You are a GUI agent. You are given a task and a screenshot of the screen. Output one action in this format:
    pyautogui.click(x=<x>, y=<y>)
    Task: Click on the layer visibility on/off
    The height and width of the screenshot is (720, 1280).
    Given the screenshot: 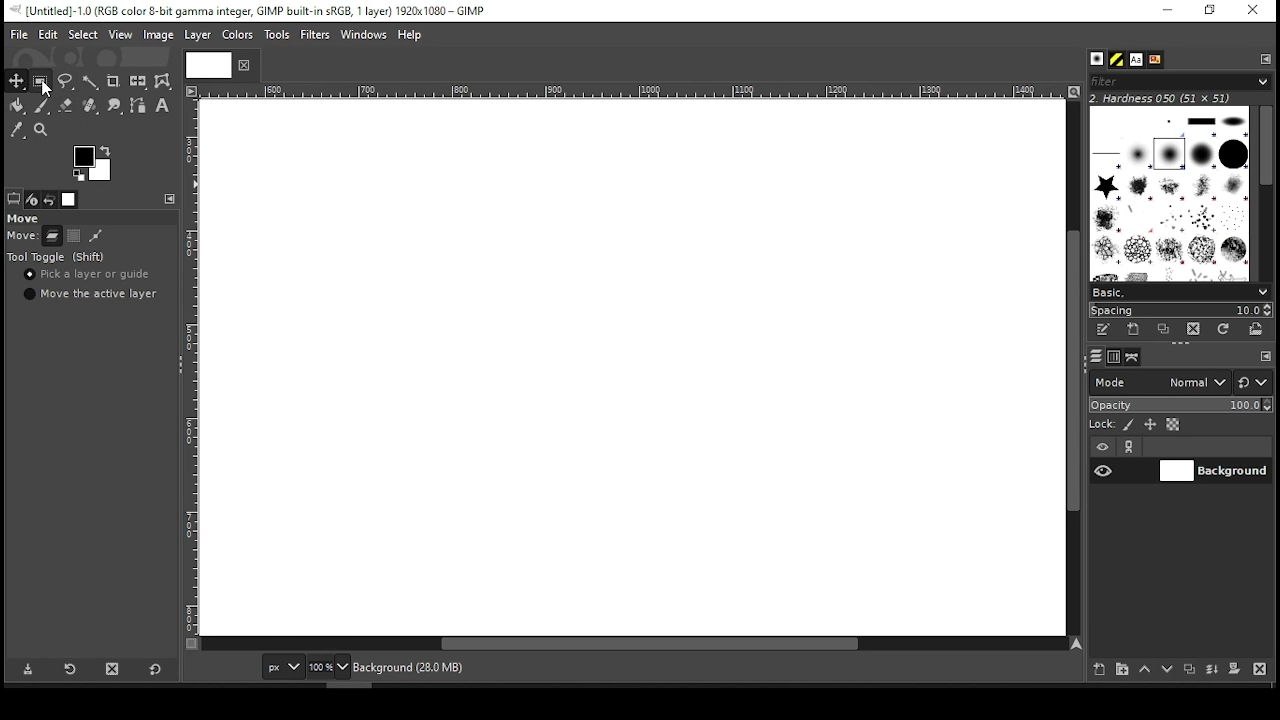 What is the action you would take?
    pyautogui.click(x=1104, y=470)
    